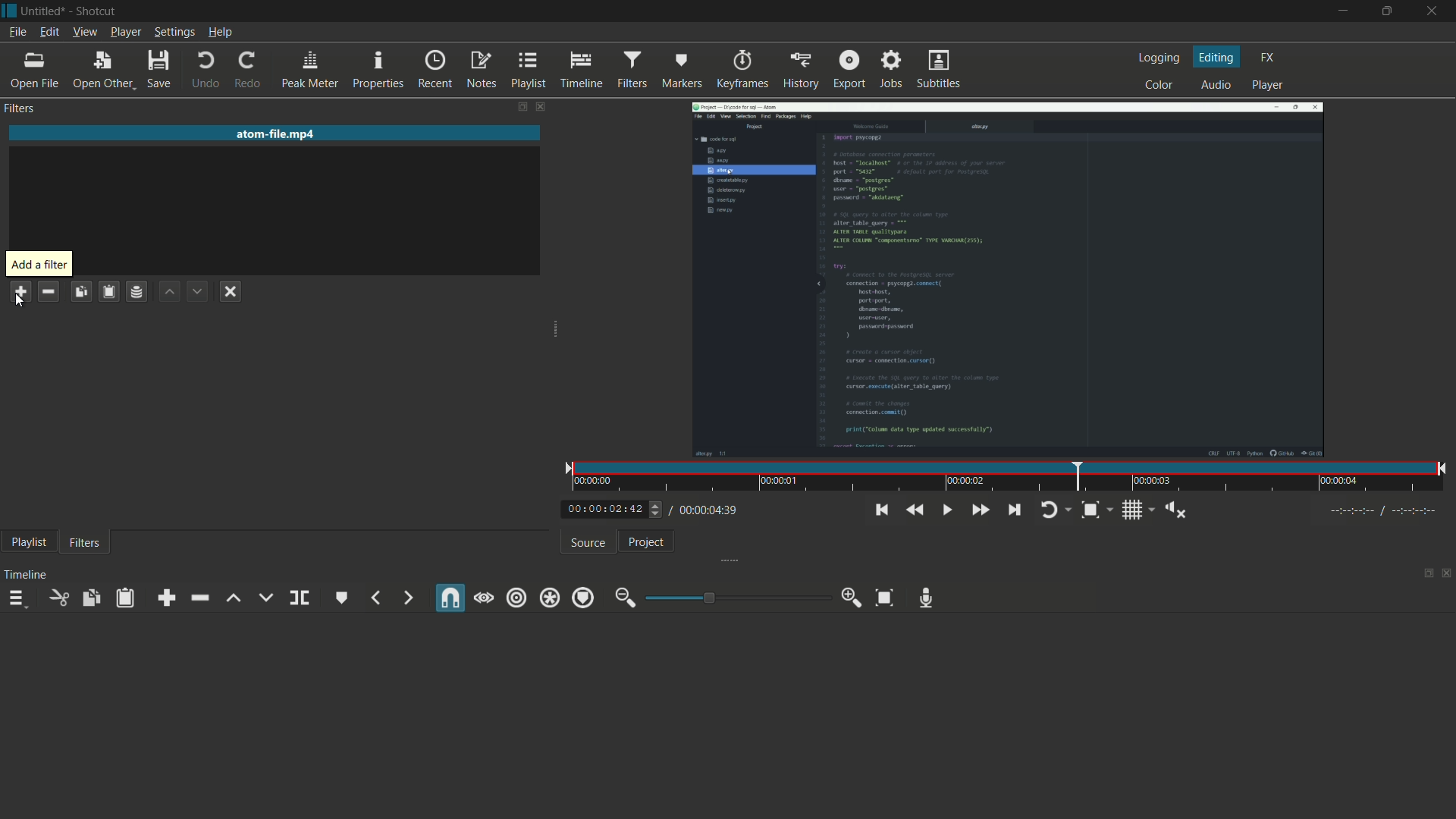 Image resolution: width=1456 pixels, height=819 pixels. I want to click on toggle play or pause, so click(948, 510).